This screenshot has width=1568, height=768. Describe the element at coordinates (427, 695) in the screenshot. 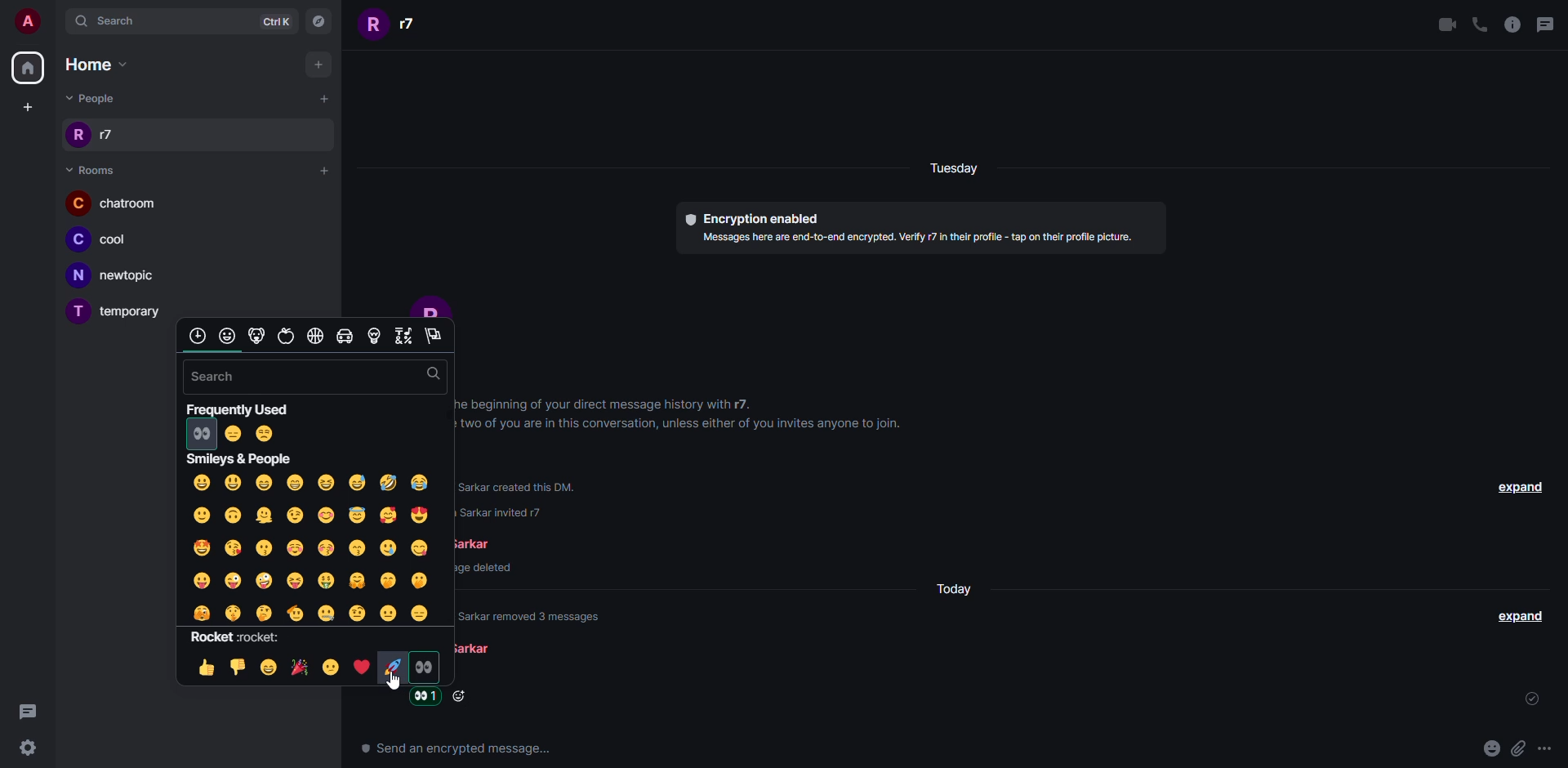

I see `reaction added` at that location.